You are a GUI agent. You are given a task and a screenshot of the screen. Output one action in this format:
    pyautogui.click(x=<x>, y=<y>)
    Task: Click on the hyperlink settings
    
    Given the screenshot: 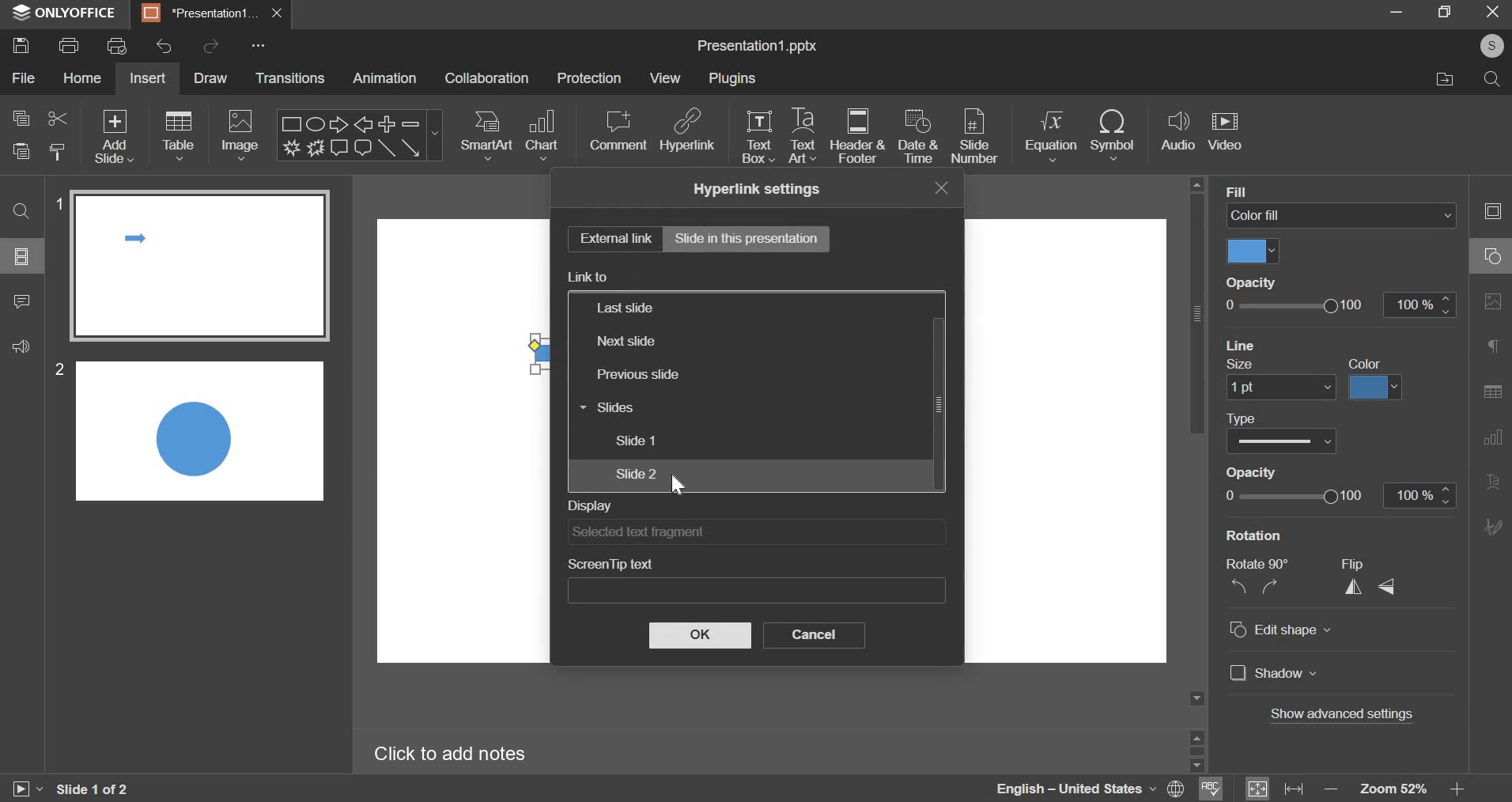 What is the action you would take?
    pyautogui.click(x=755, y=190)
    